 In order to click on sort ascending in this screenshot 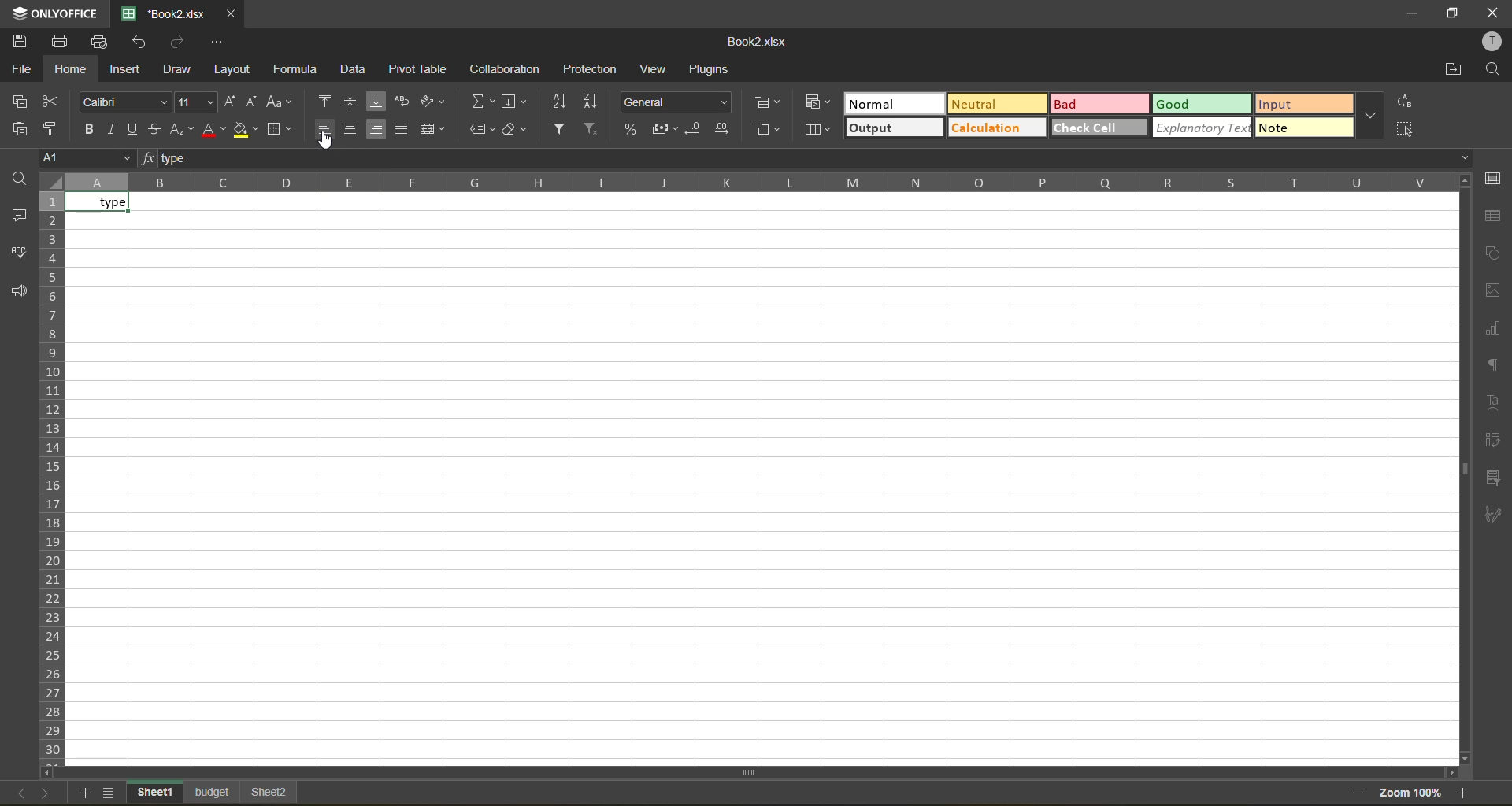, I will do `click(561, 104)`.